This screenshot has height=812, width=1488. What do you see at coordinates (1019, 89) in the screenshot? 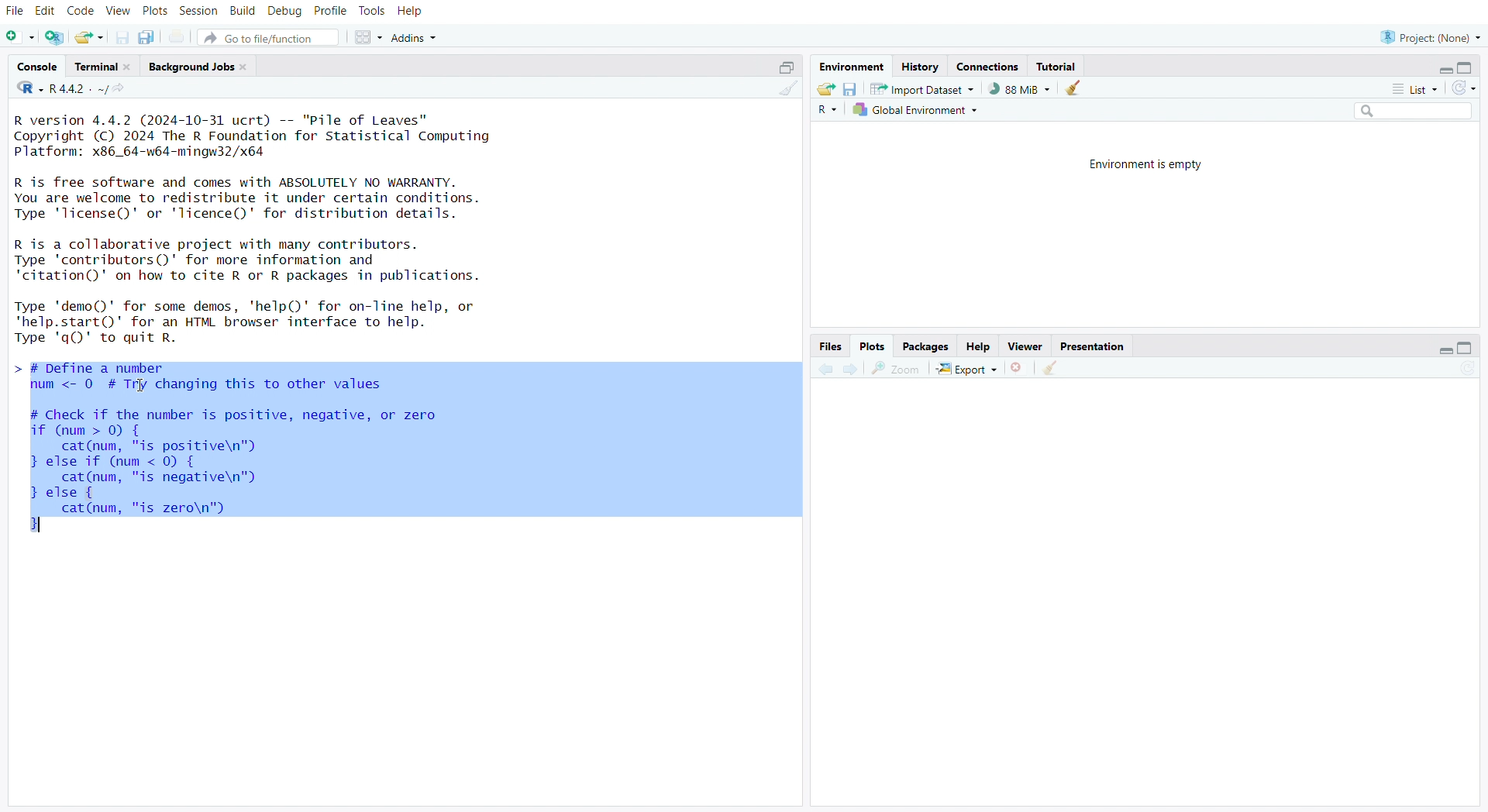
I see `88 mib` at bounding box center [1019, 89].